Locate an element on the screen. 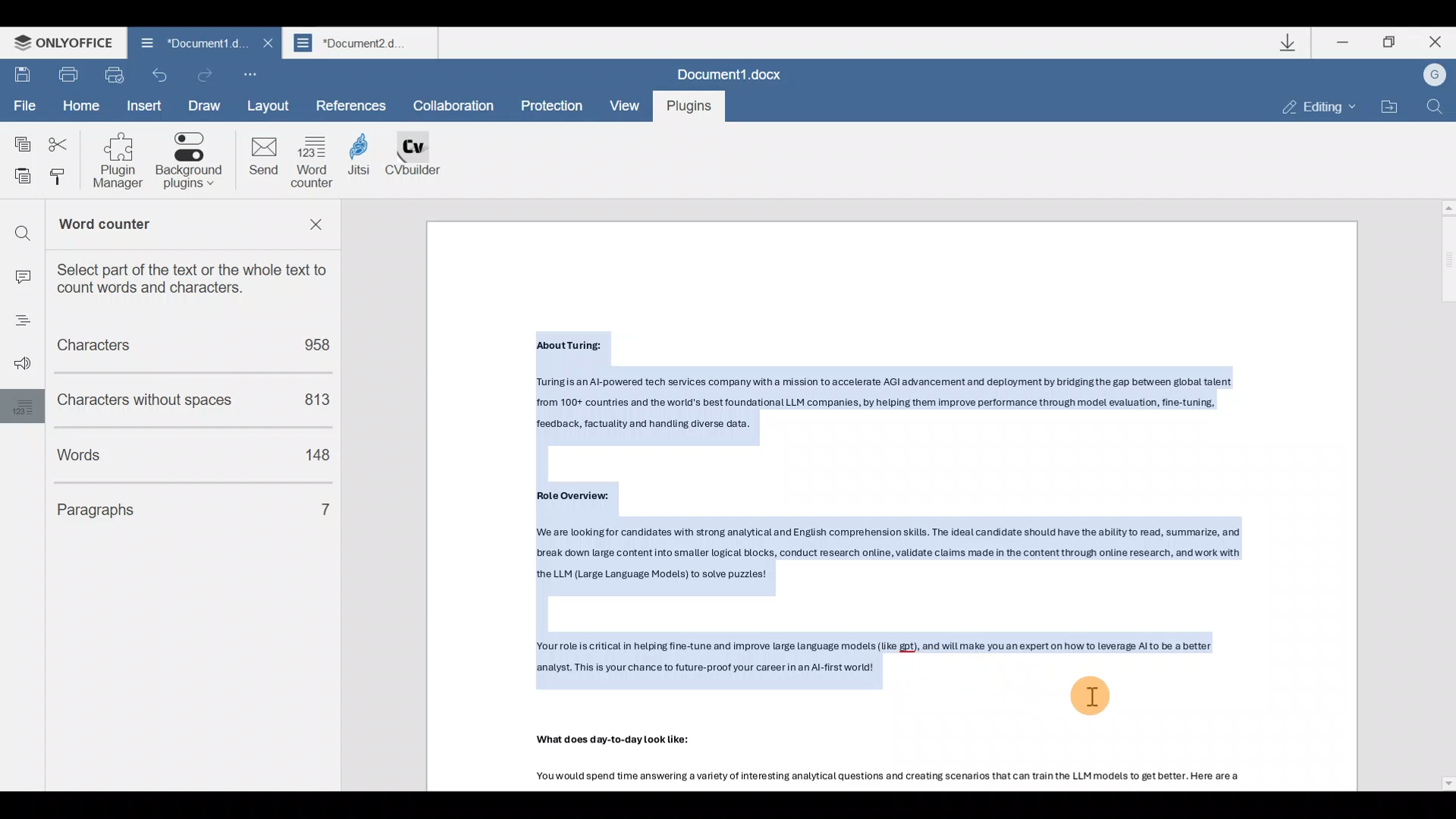 The width and height of the screenshot is (1456, 819). input is located at coordinates (21, 272).